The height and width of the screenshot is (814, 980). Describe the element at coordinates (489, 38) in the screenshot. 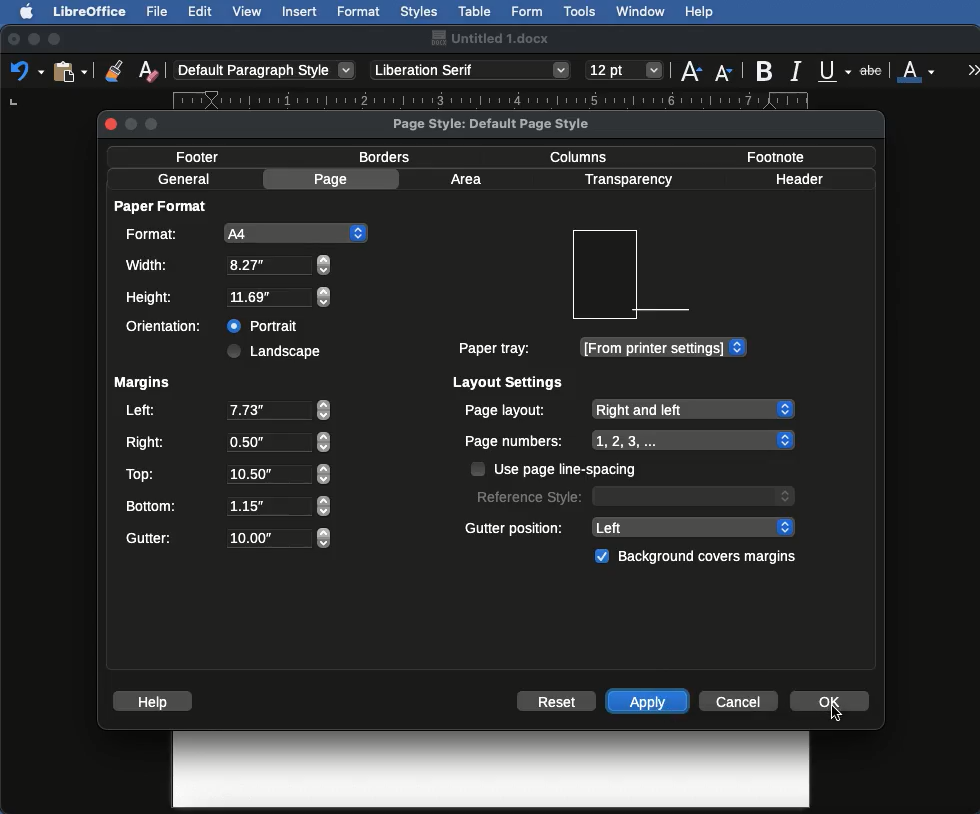

I see `Name` at that location.